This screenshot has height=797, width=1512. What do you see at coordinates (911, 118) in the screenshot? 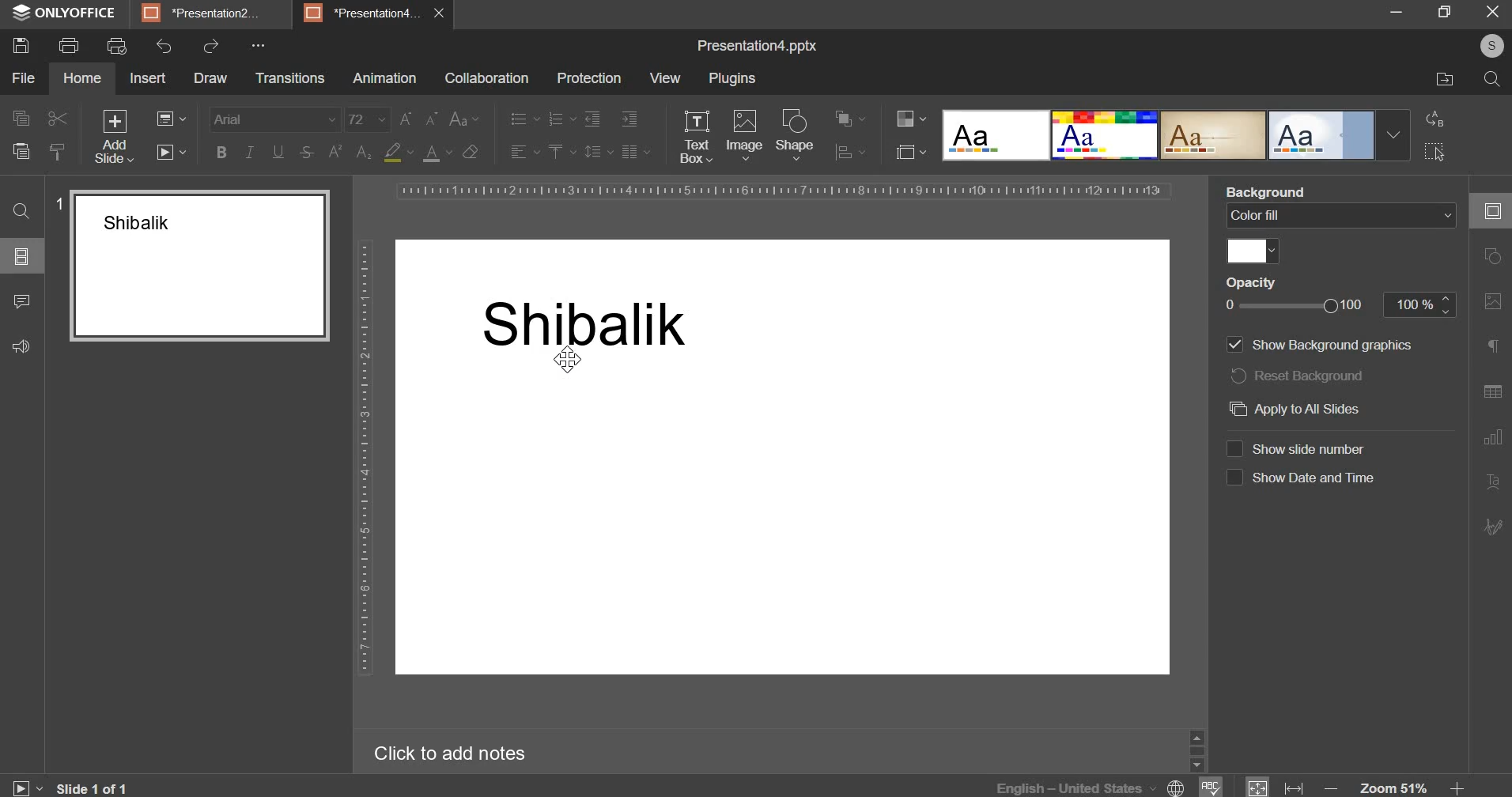
I see `change color themes` at bounding box center [911, 118].